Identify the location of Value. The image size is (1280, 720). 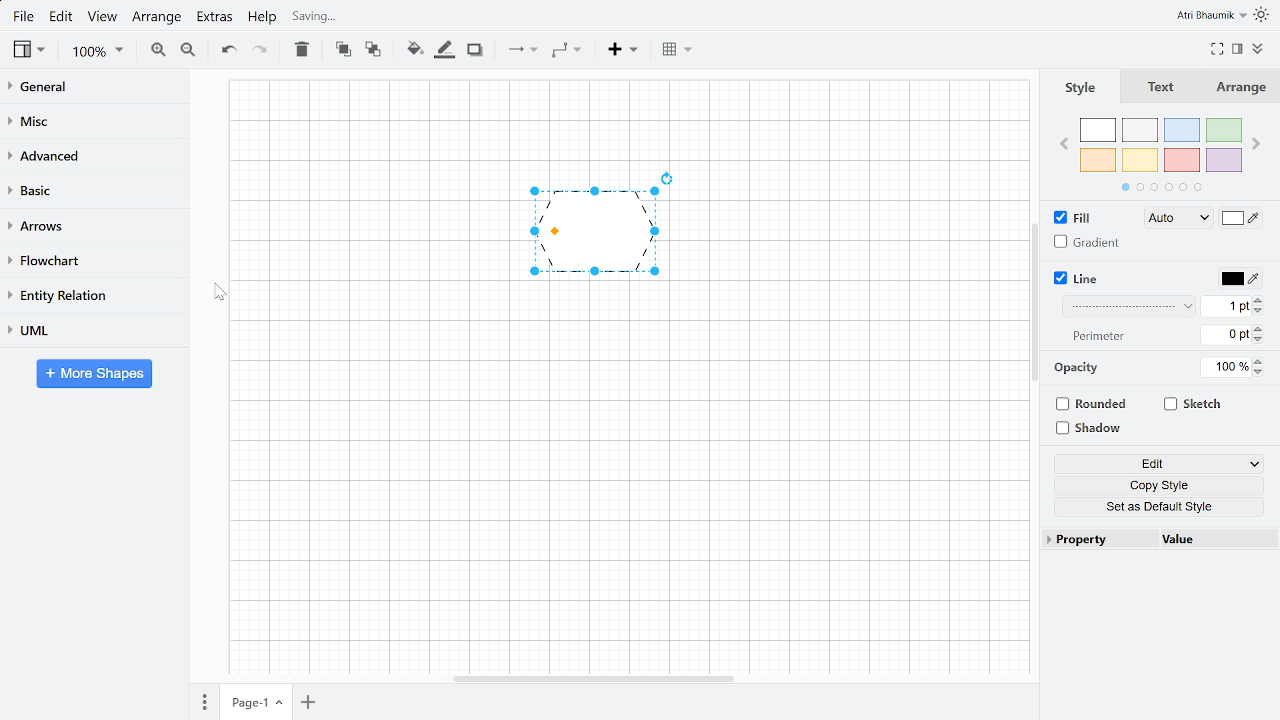
(1219, 539).